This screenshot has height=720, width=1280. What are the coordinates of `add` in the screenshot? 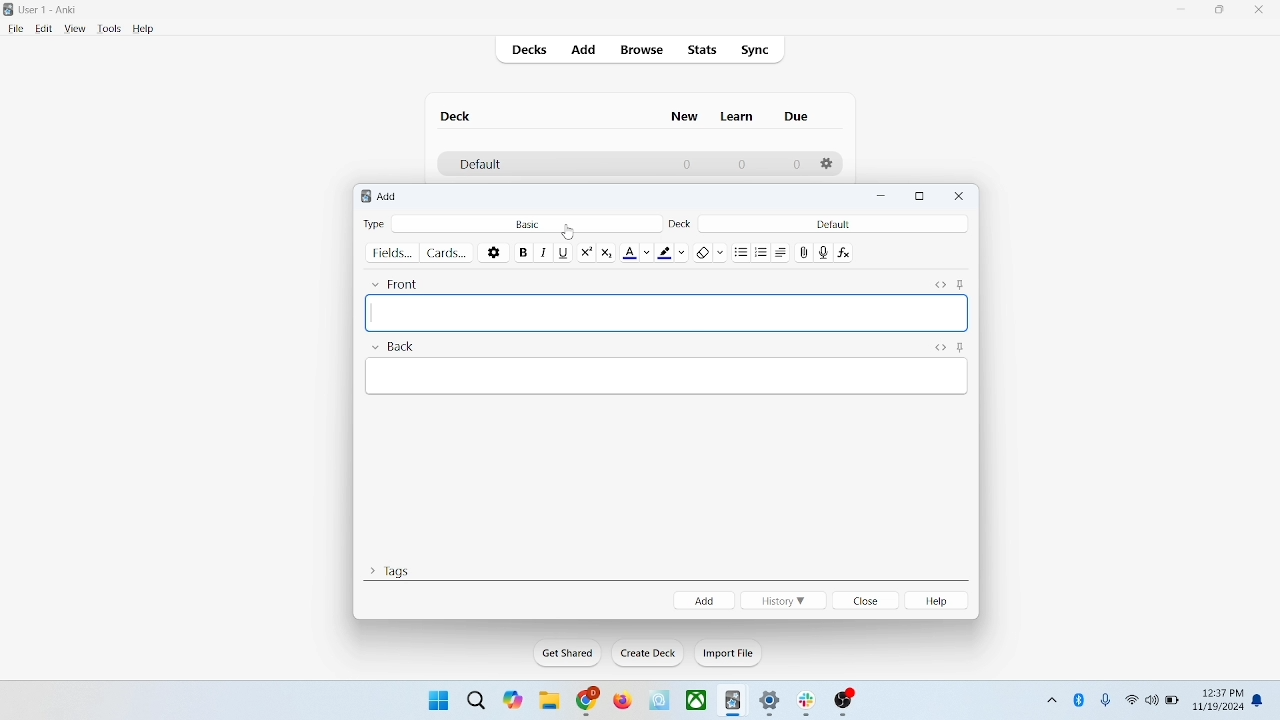 It's located at (585, 51).